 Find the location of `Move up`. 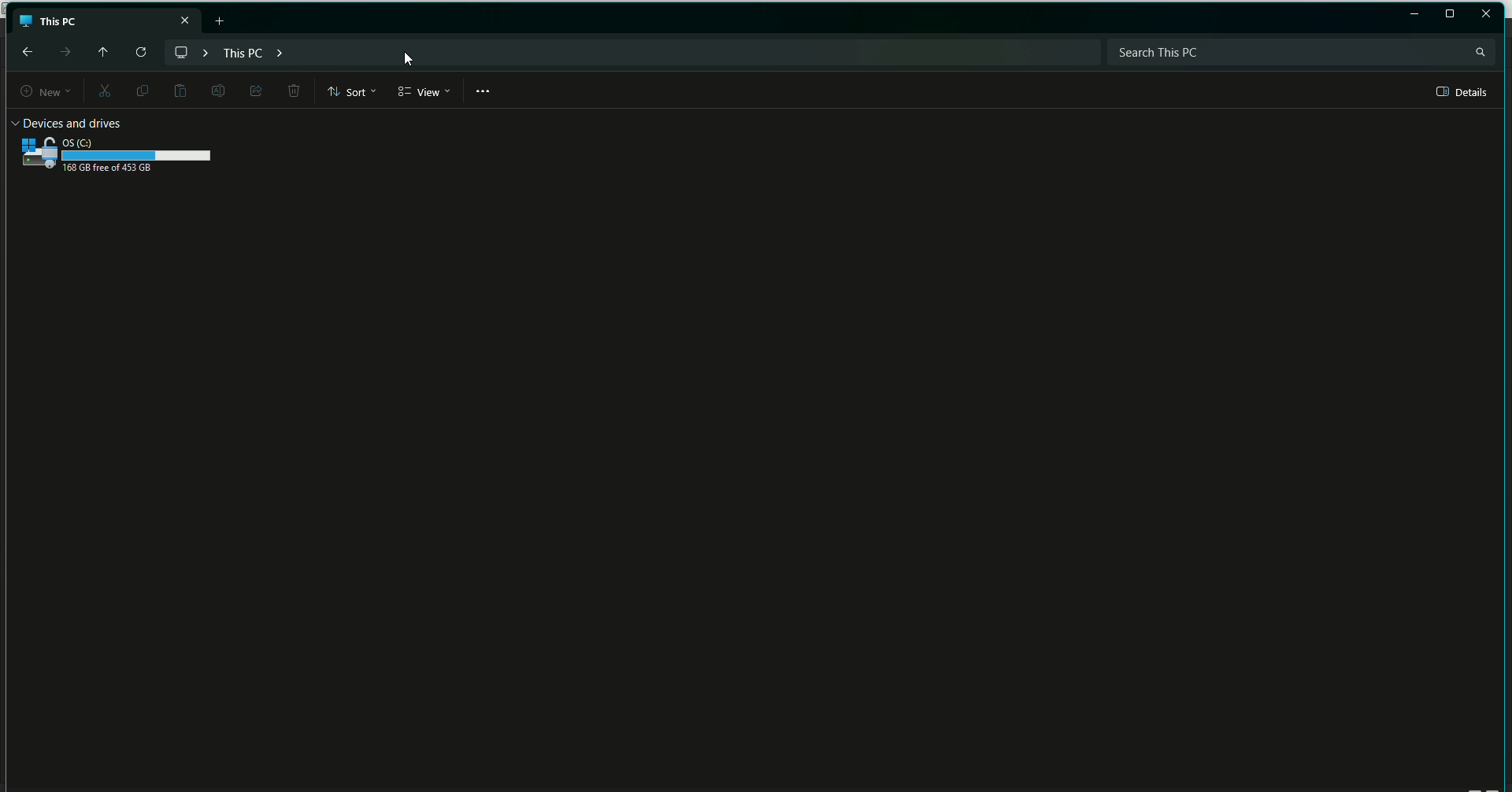

Move up is located at coordinates (99, 50).